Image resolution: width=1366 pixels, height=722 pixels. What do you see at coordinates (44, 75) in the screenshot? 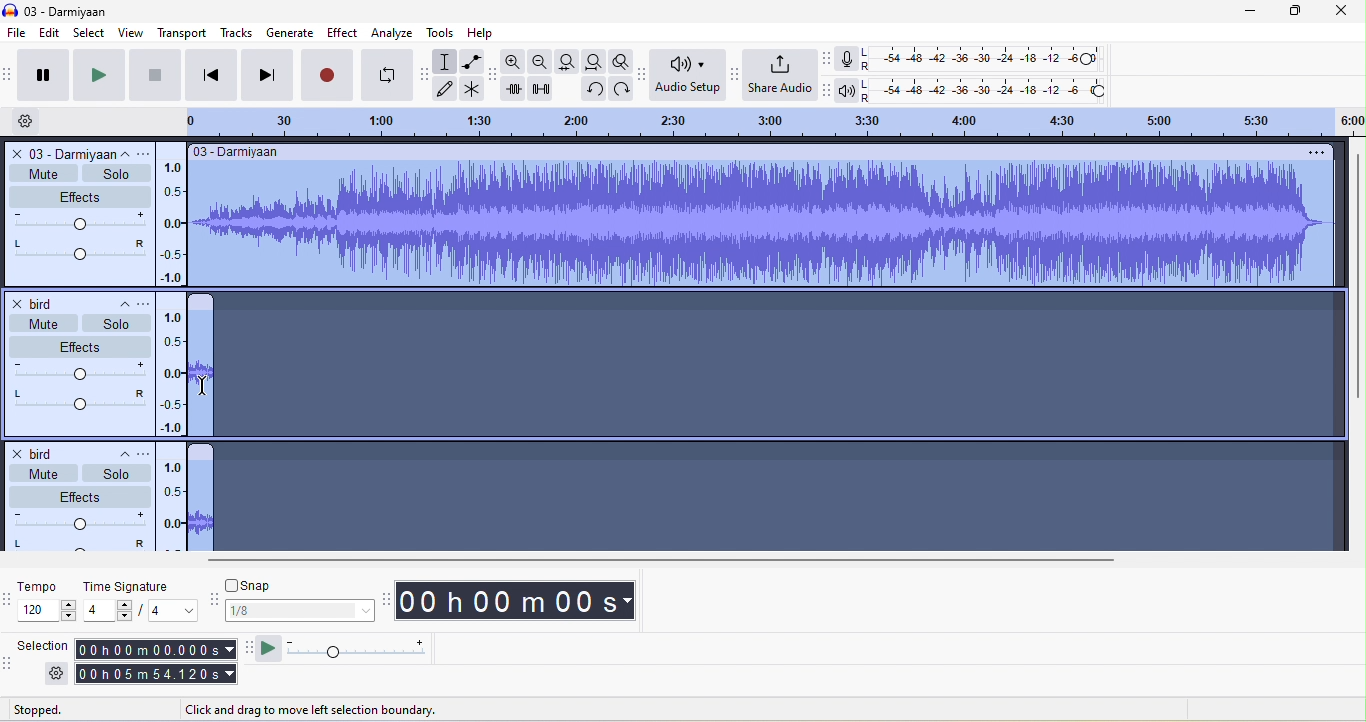
I see `pause` at bounding box center [44, 75].